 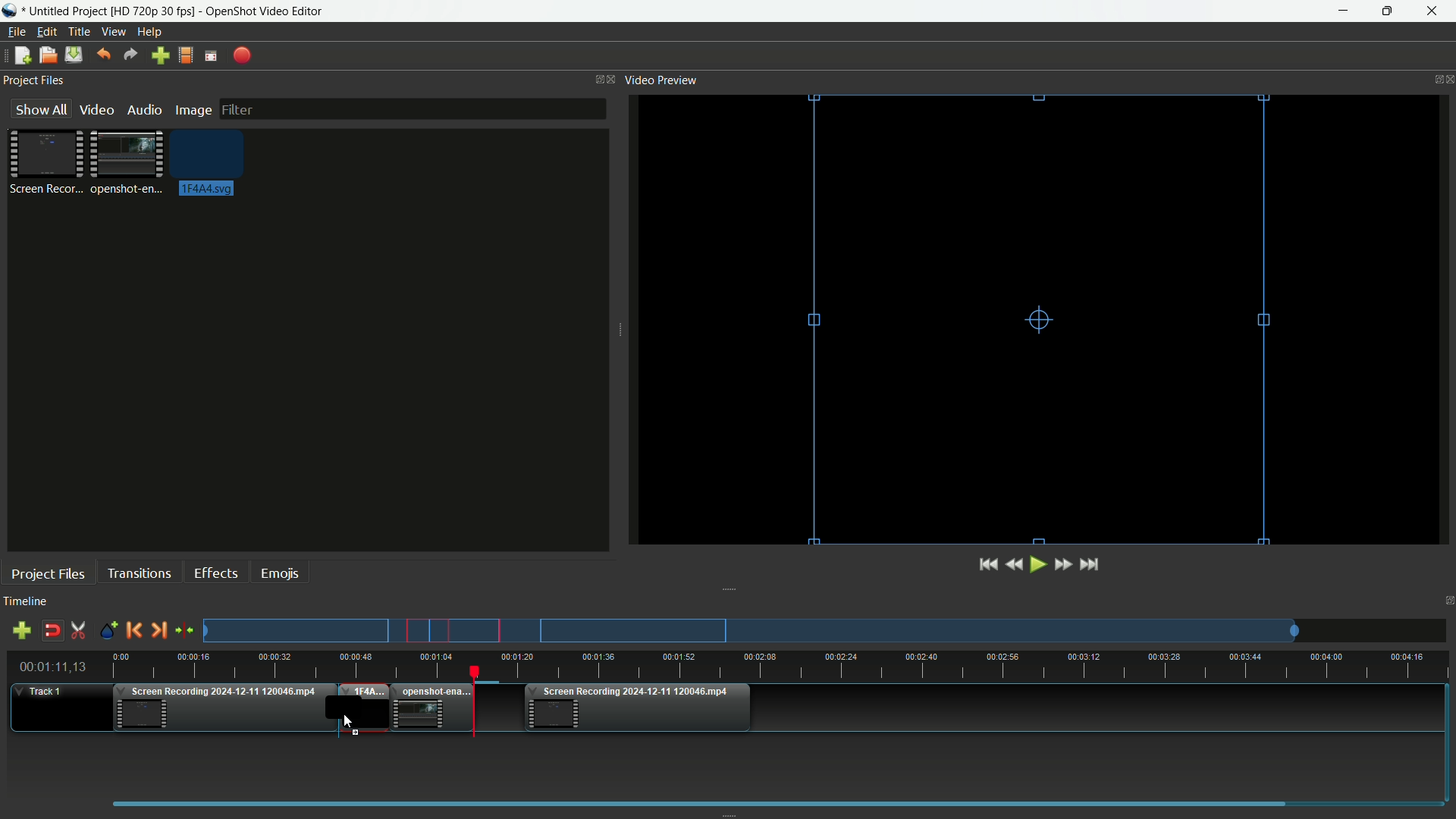 What do you see at coordinates (12, 11) in the screenshot?
I see `App icon` at bounding box center [12, 11].